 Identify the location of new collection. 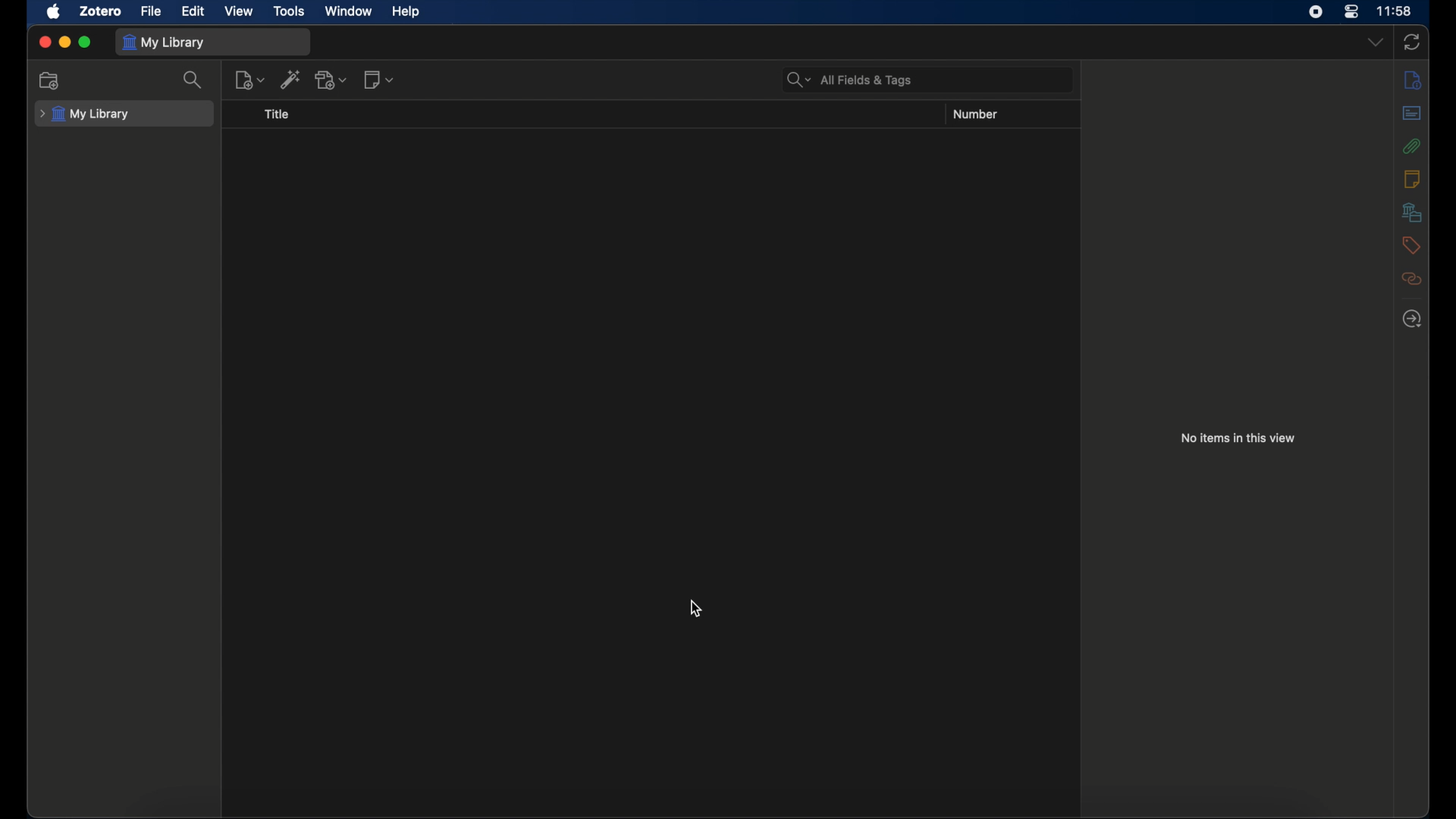
(50, 81).